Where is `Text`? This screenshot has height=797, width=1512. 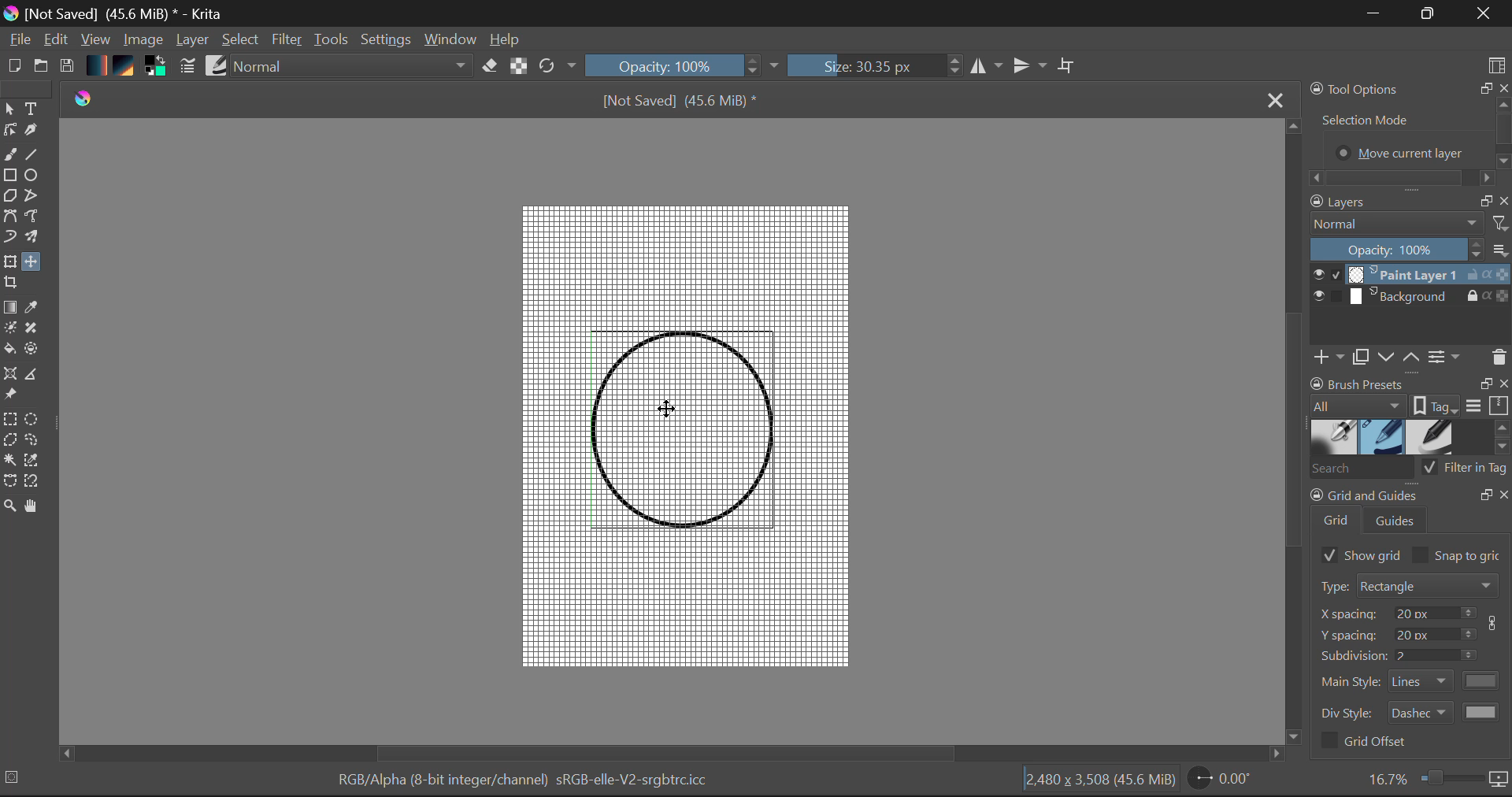 Text is located at coordinates (32, 108).